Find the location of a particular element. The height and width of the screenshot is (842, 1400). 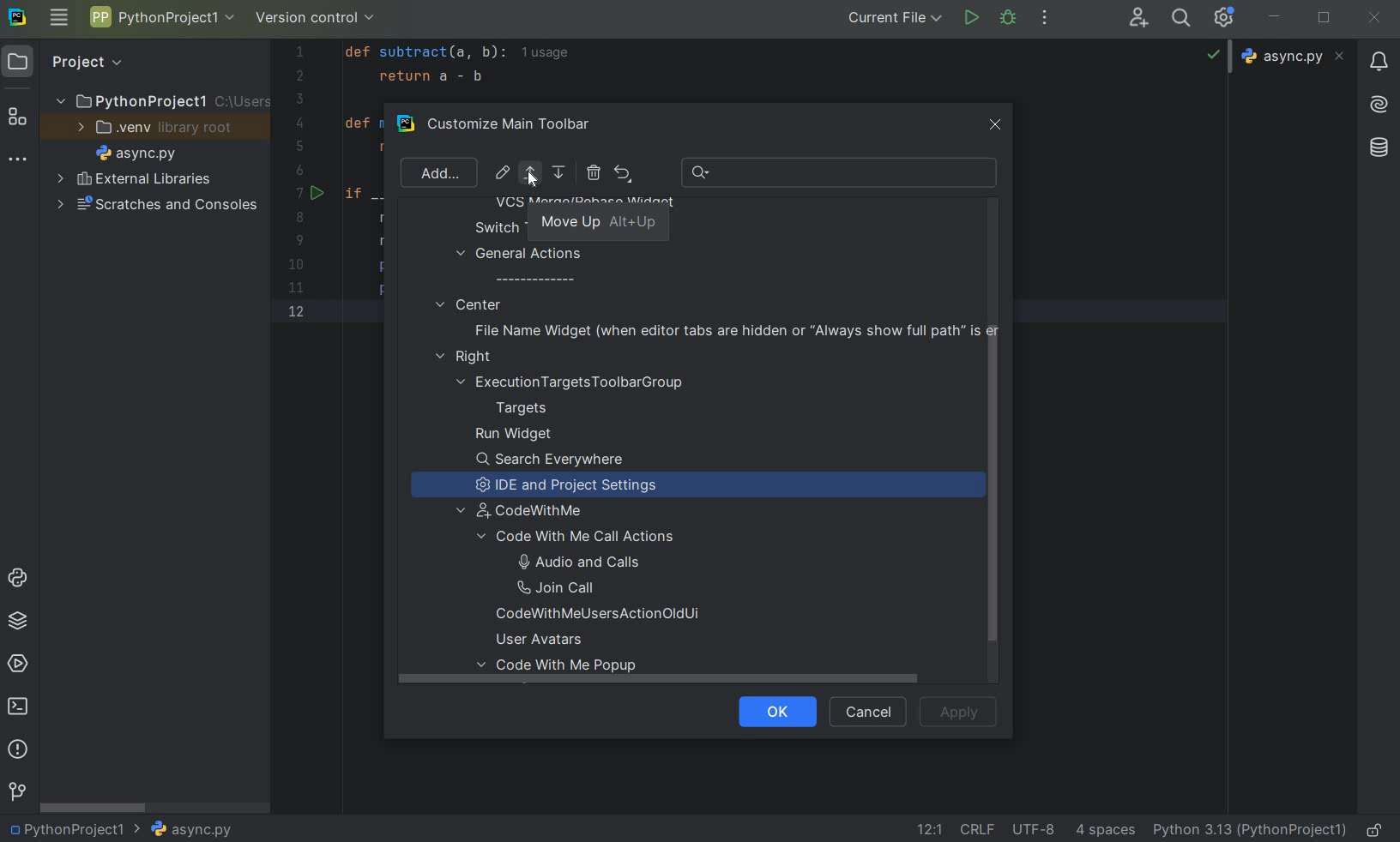

MOVE DOWN is located at coordinates (560, 173).